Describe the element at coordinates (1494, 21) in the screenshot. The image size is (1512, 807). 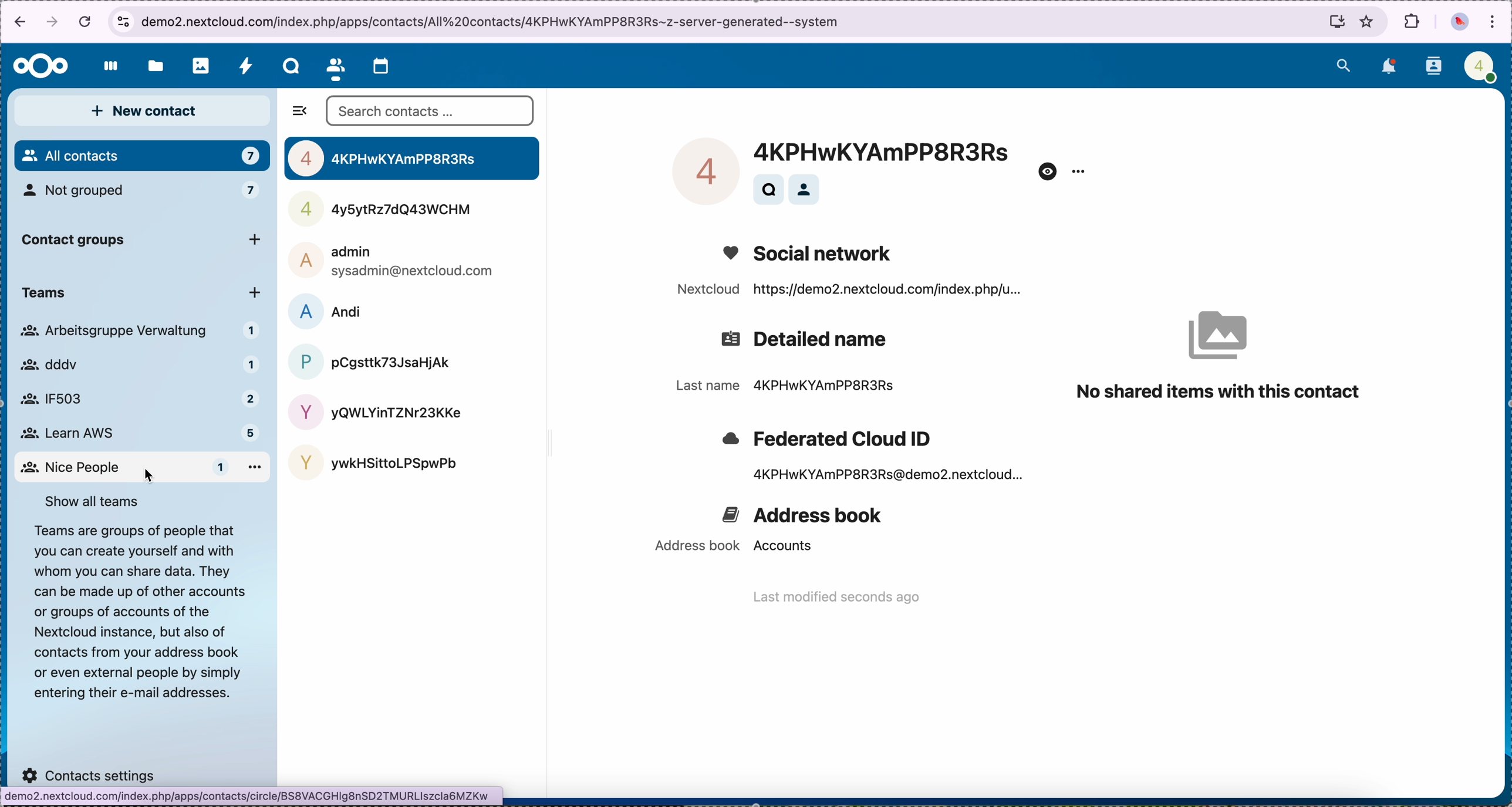
I see `customize and control Google Chrome` at that location.